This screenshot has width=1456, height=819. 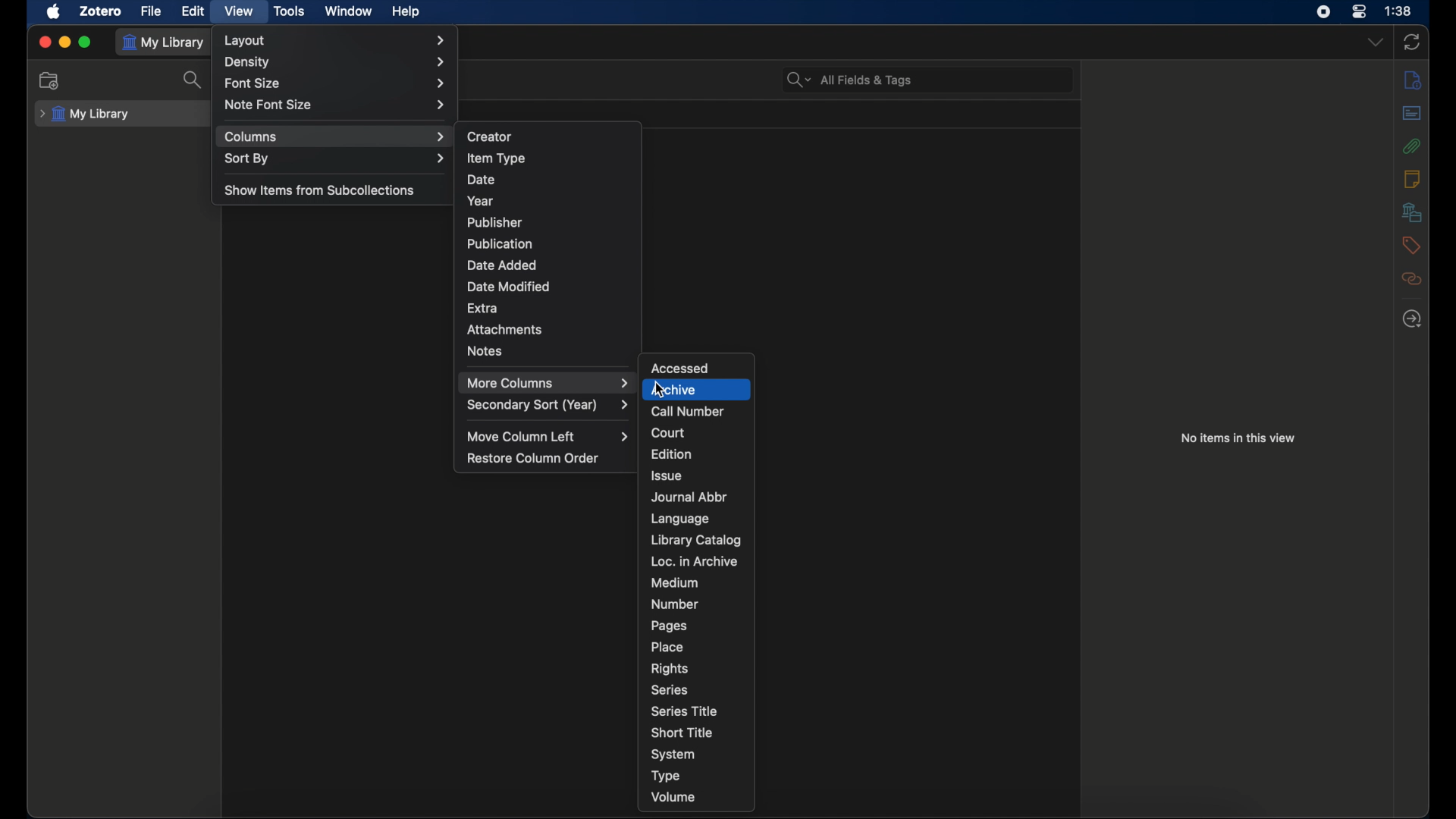 What do you see at coordinates (86, 42) in the screenshot?
I see `maximize` at bounding box center [86, 42].